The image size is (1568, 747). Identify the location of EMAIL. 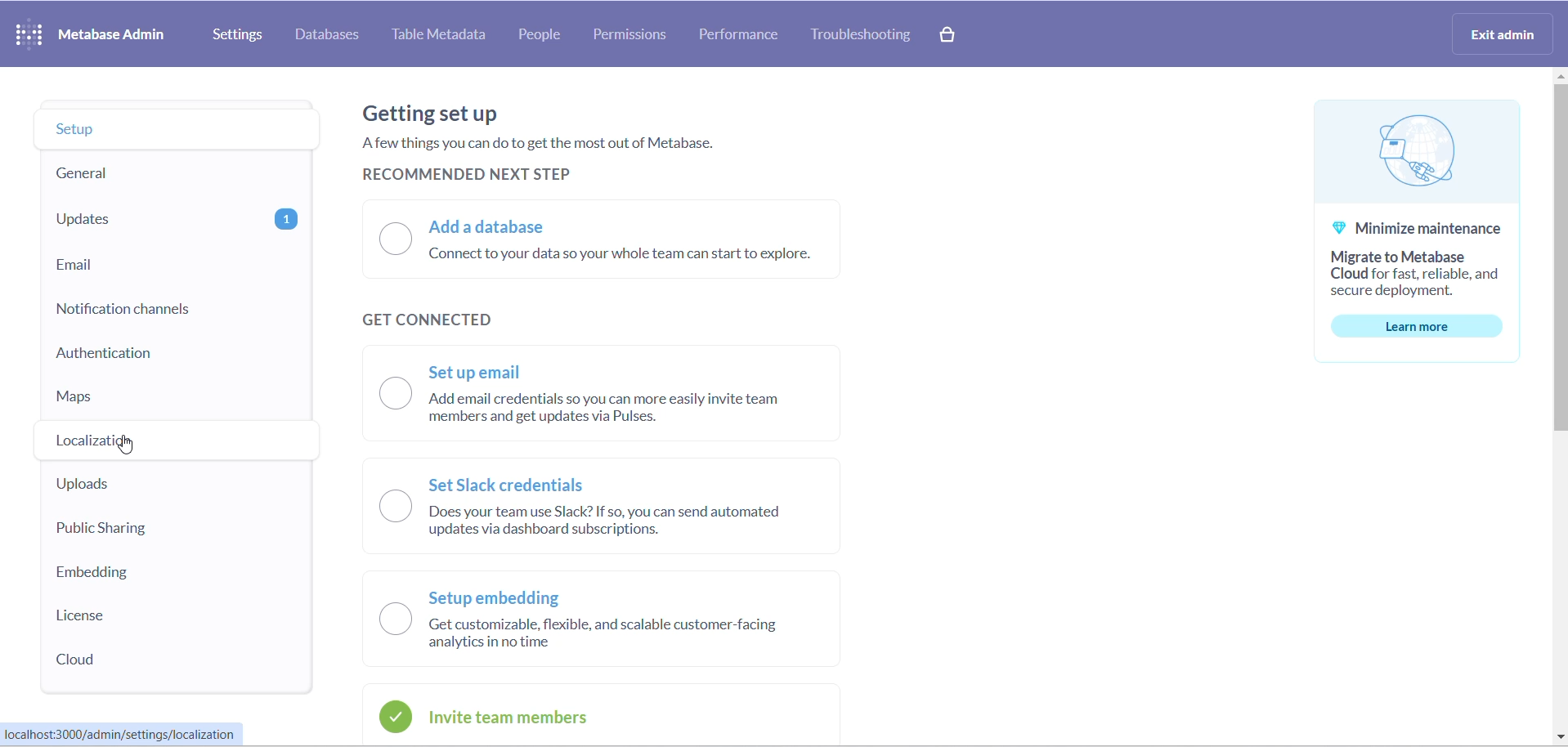
(177, 265).